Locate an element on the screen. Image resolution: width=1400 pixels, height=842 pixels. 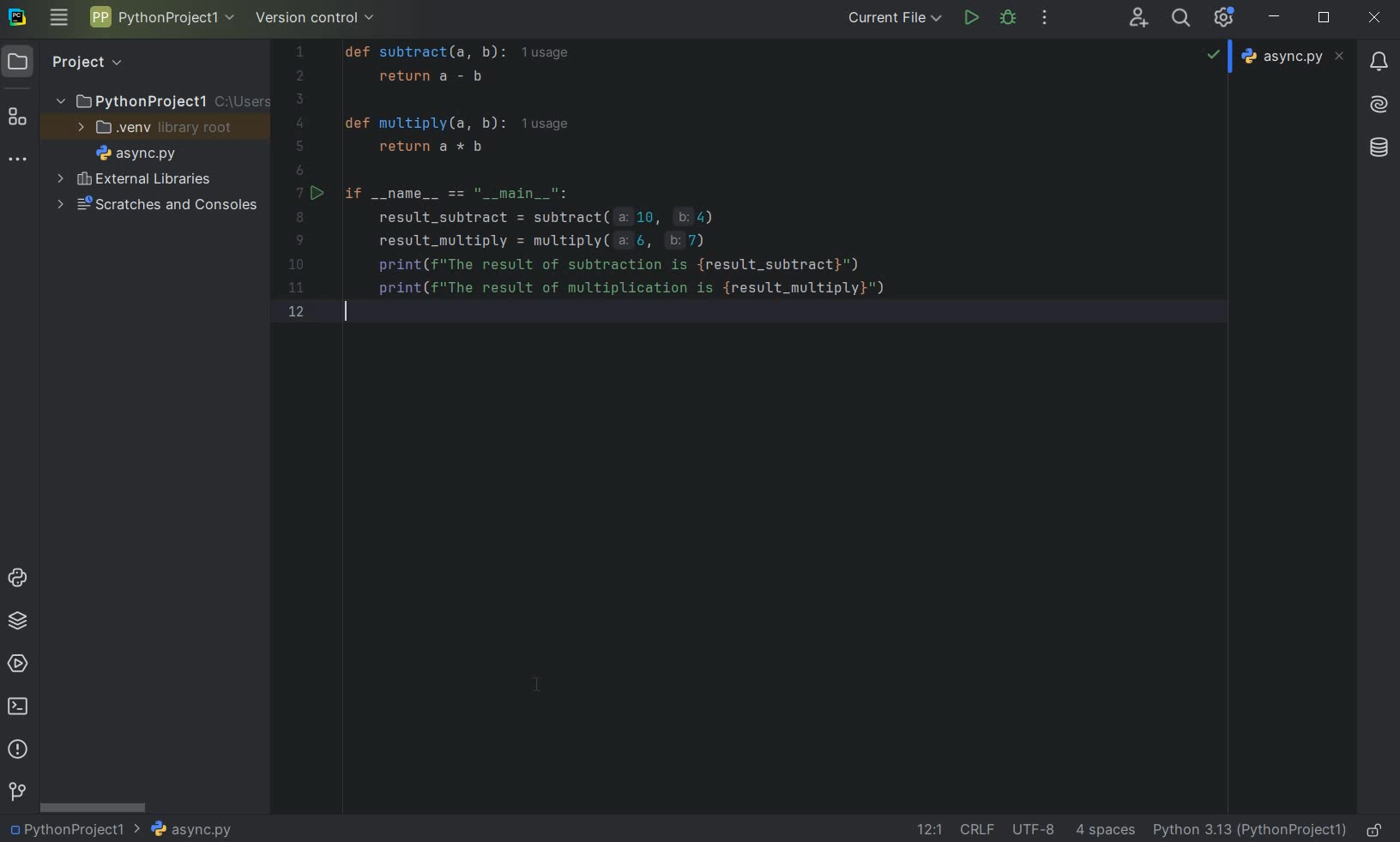
code with me is located at coordinates (1138, 19).